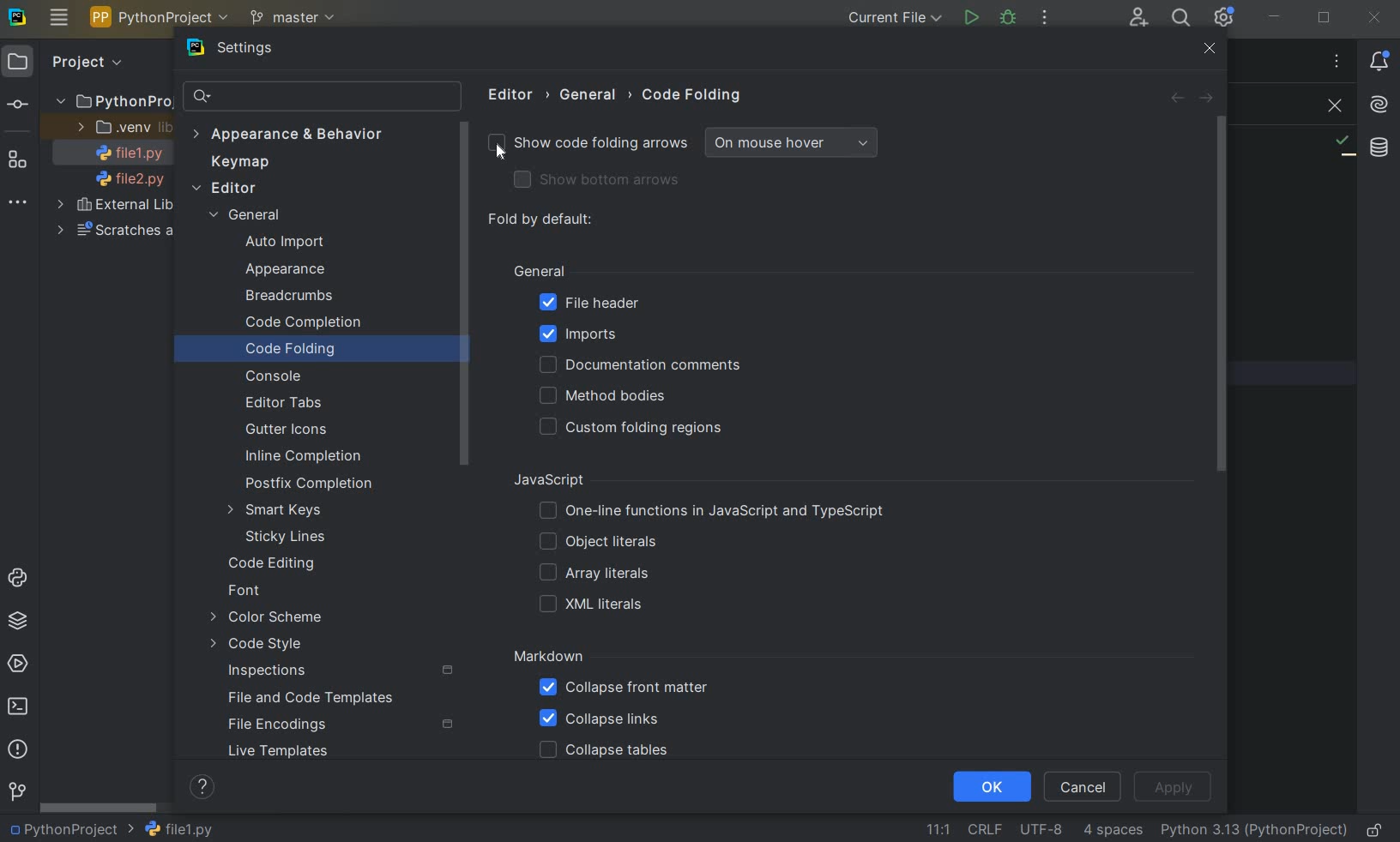  I want to click on RECENT FILES, TAB ACTIONS, AND MORE, so click(1336, 61).